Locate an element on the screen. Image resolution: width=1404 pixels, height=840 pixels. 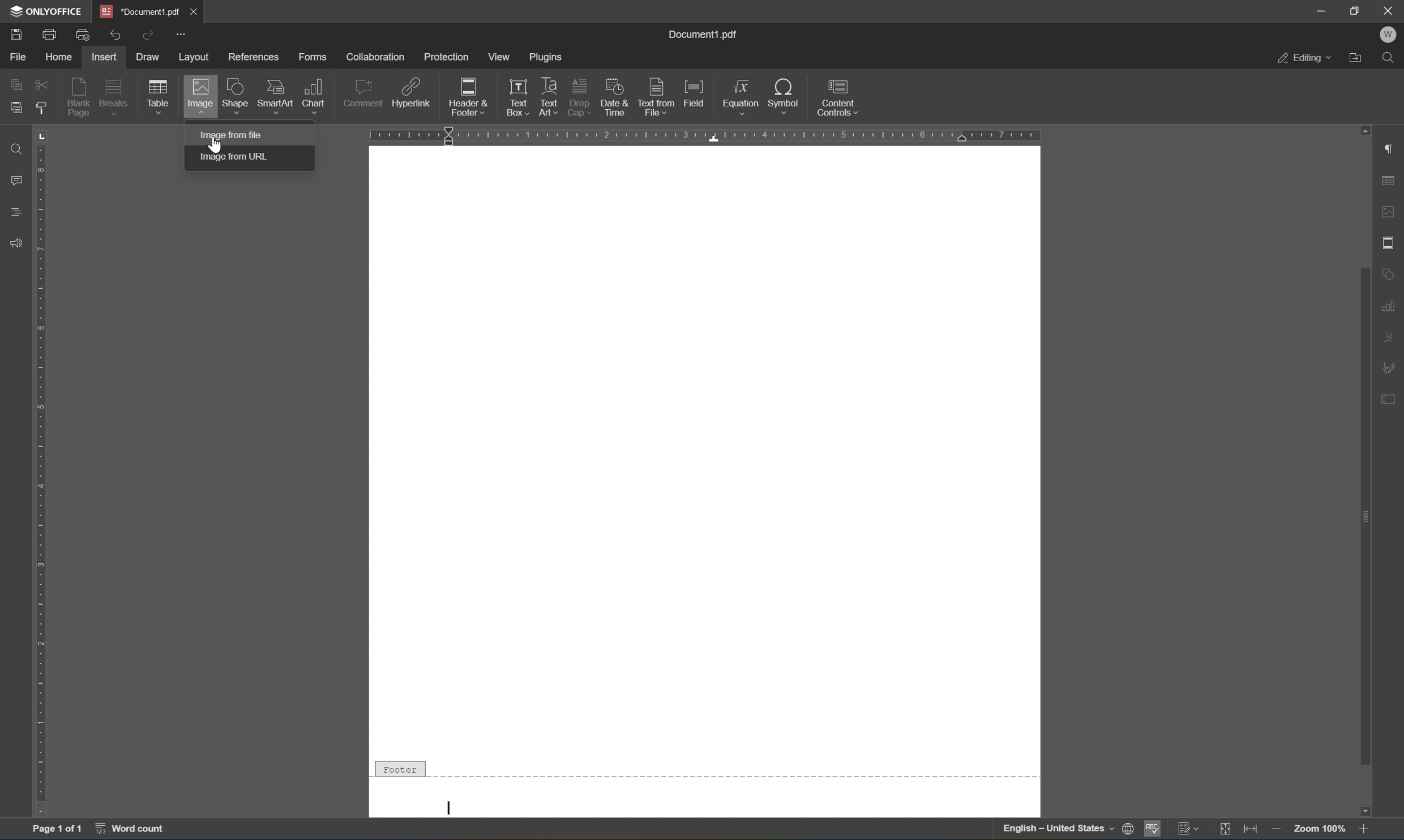
form settings is located at coordinates (1393, 404).